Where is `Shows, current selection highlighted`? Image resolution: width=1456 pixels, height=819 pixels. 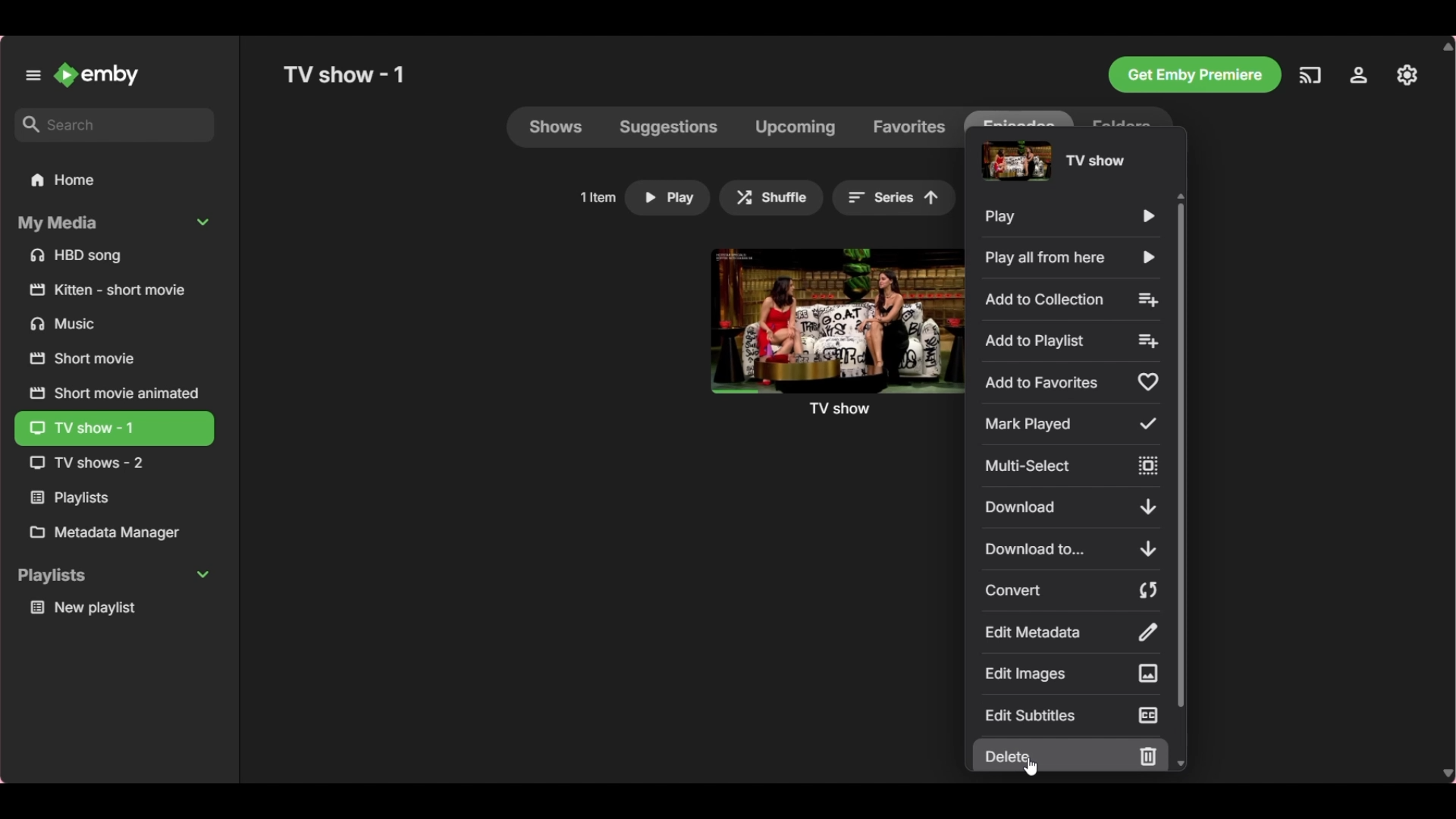 Shows, current selection highlighted is located at coordinates (557, 127).